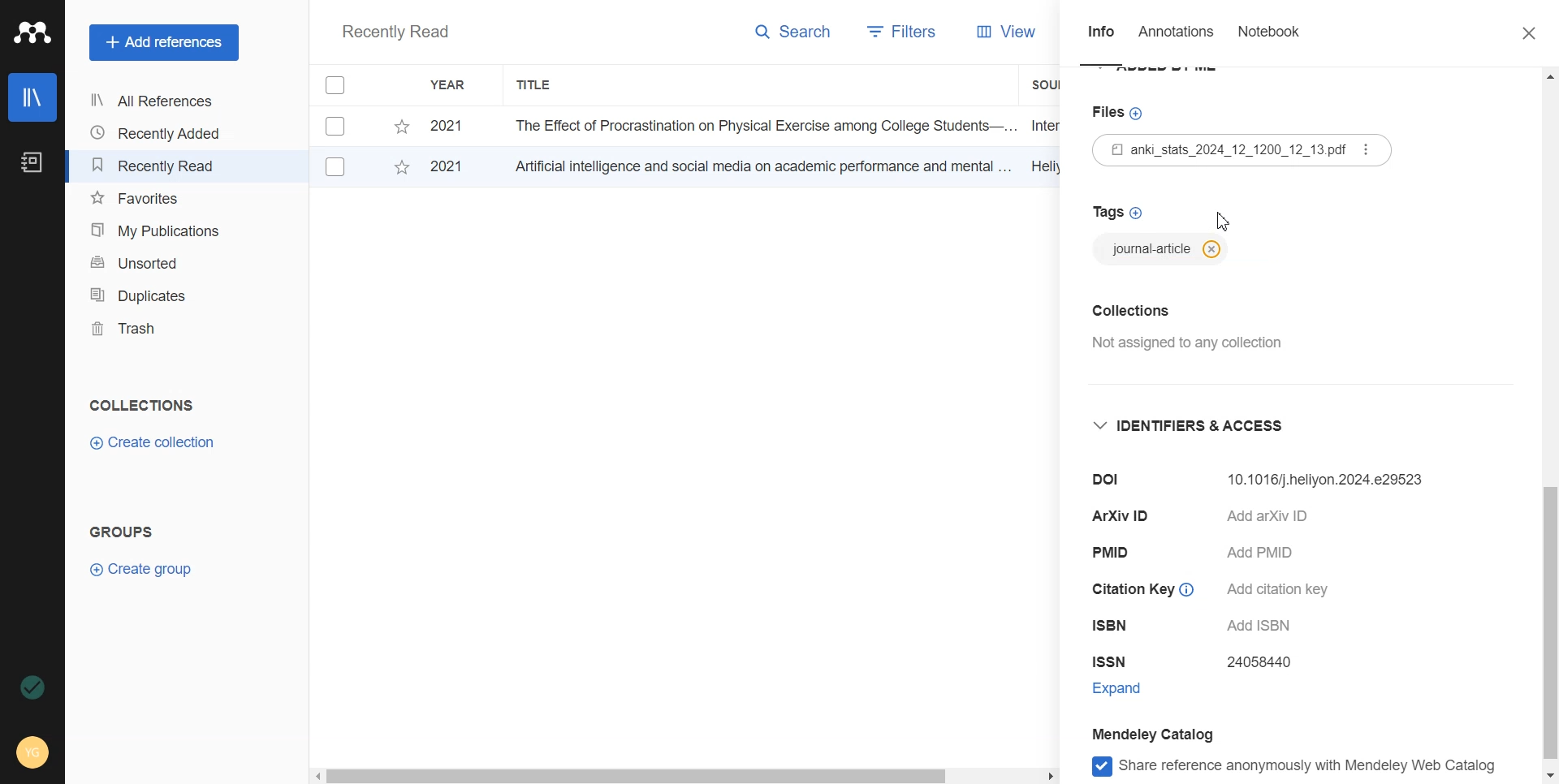 The image size is (1559, 784). What do you see at coordinates (401, 170) in the screenshot?
I see `Starred` at bounding box center [401, 170].